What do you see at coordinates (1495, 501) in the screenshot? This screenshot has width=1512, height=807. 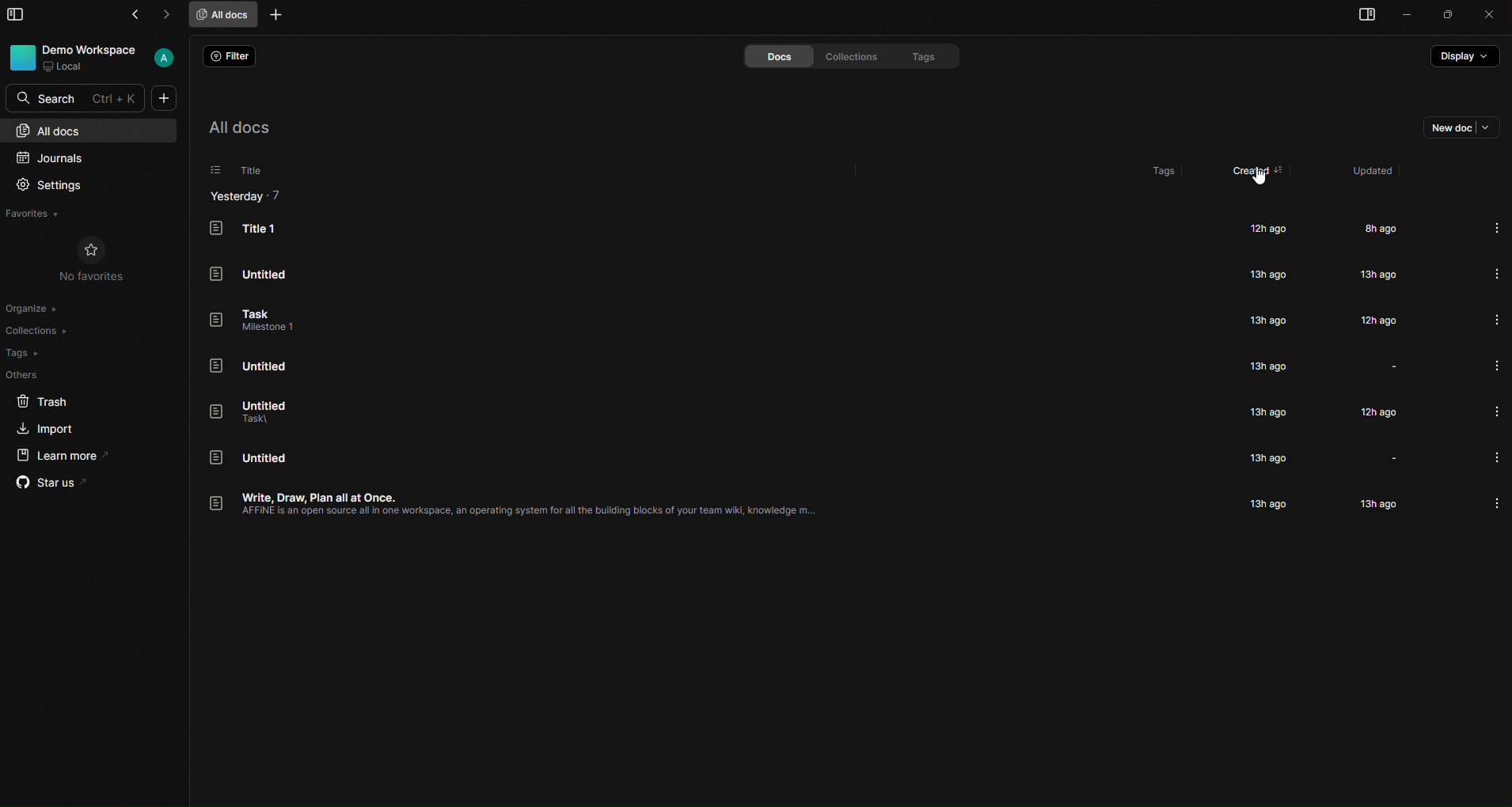 I see `more info` at bounding box center [1495, 501].